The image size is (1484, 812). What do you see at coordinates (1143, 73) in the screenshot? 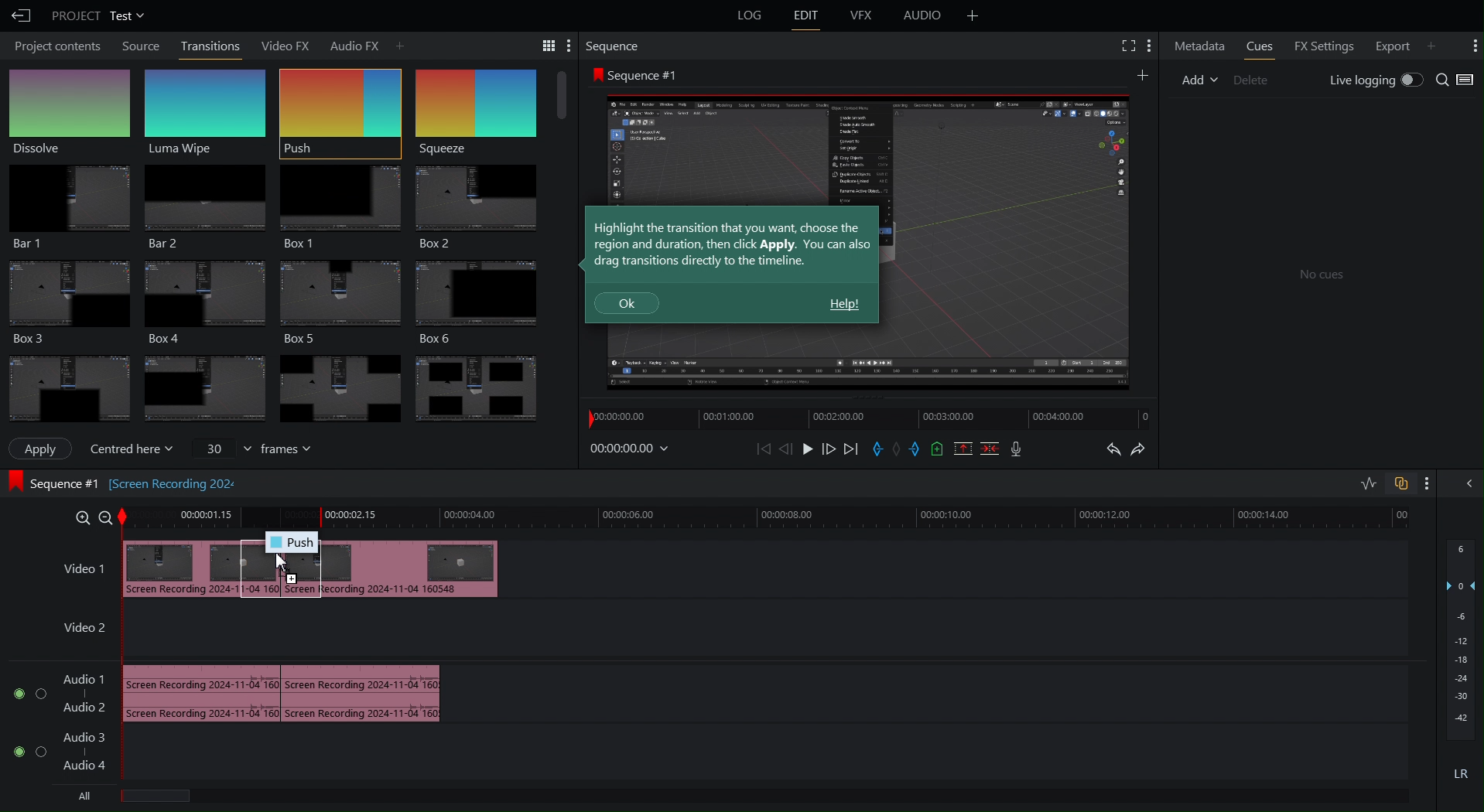
I see `More` at bounding box center [1143, 73].